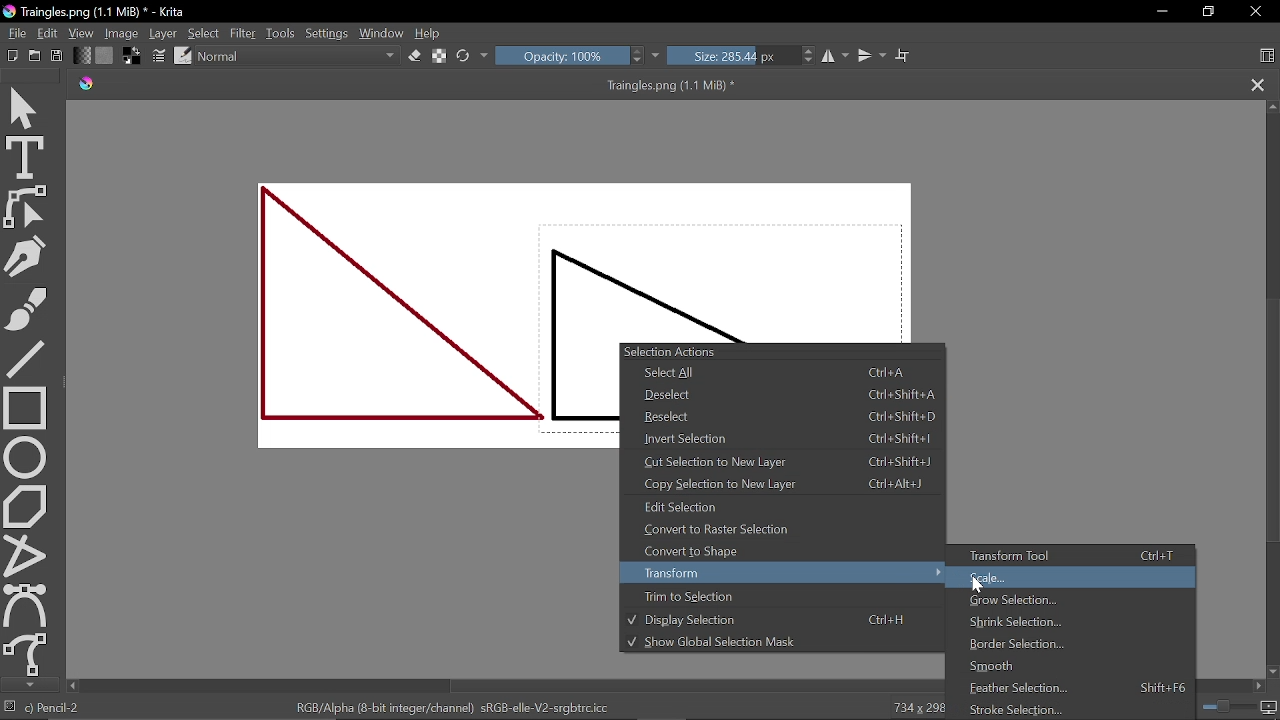 This screenshot has height=720, width=1280. What do you see at coordinates (742, 56) in the screenshot?
I see `Size: 285.44 px` at bounding box center [742, 56].